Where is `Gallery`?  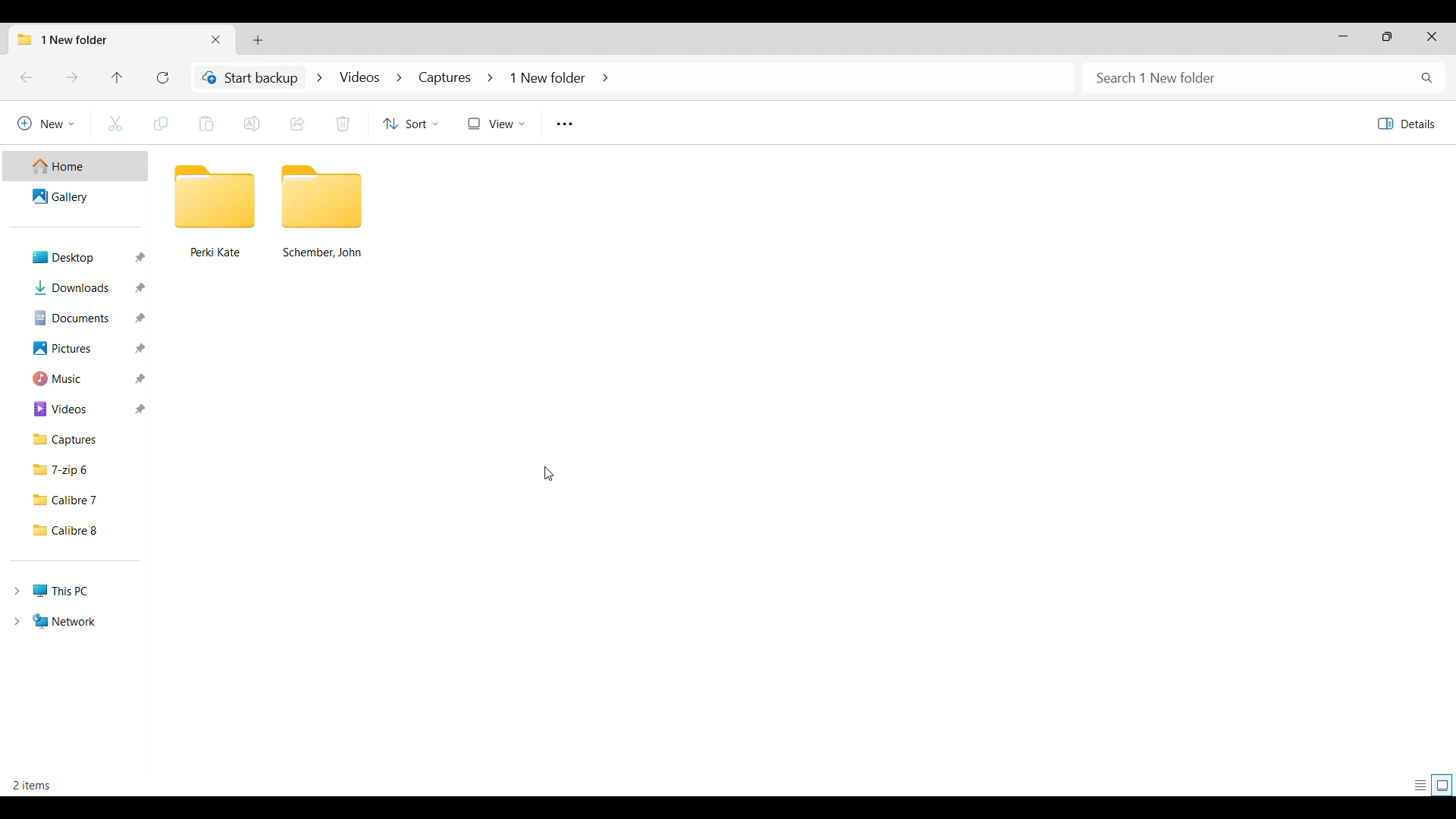 Gallery is located at coordinates (75, 195).